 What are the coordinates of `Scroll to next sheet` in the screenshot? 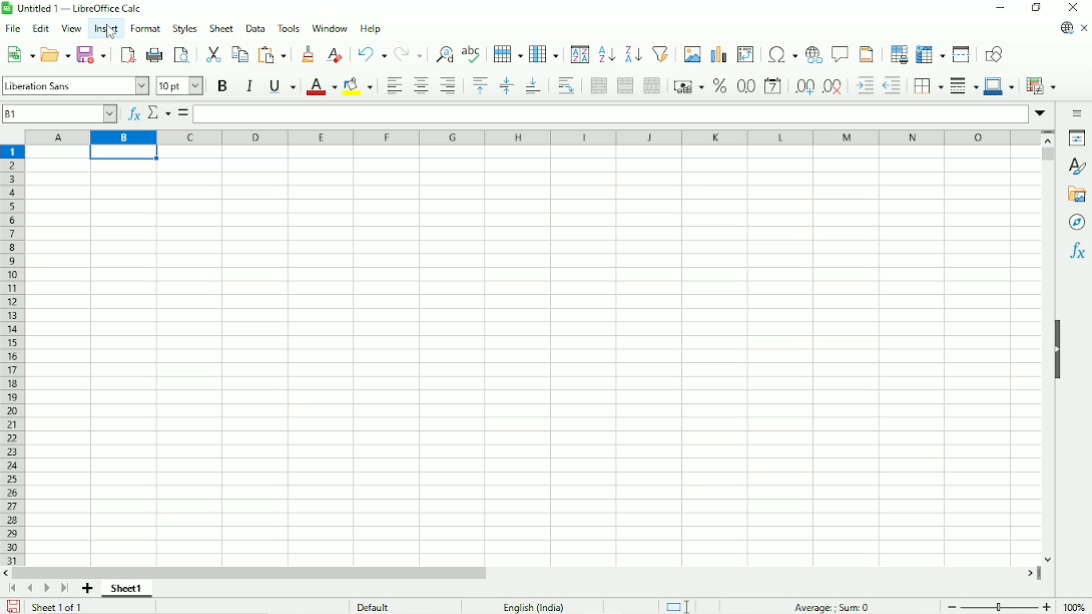 It's located at (46, 589).